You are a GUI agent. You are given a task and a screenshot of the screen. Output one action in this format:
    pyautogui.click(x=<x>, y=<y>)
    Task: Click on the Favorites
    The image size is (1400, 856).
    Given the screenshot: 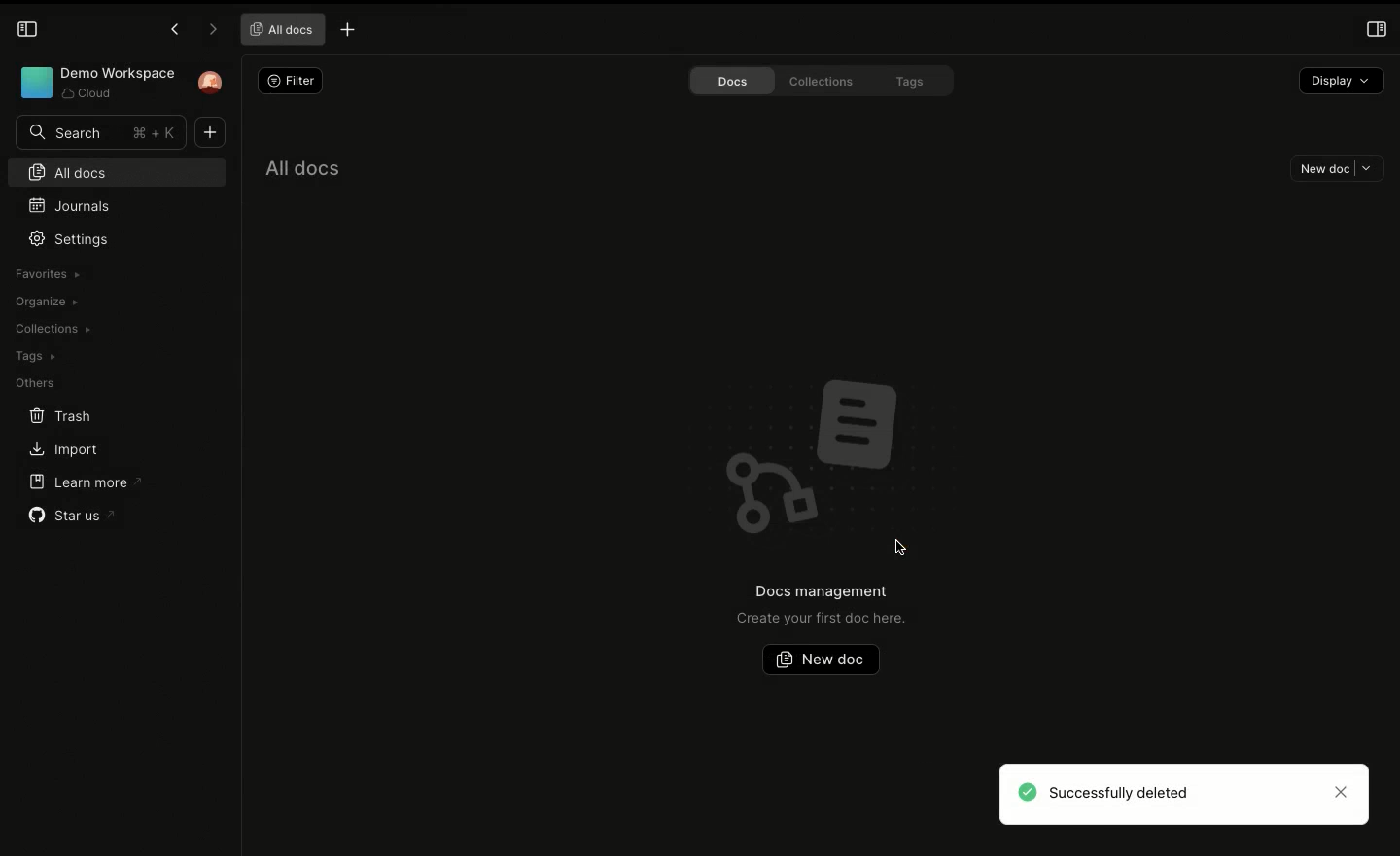 What is the action you would take?
    pyautogui.click(x=46, y=274)
    